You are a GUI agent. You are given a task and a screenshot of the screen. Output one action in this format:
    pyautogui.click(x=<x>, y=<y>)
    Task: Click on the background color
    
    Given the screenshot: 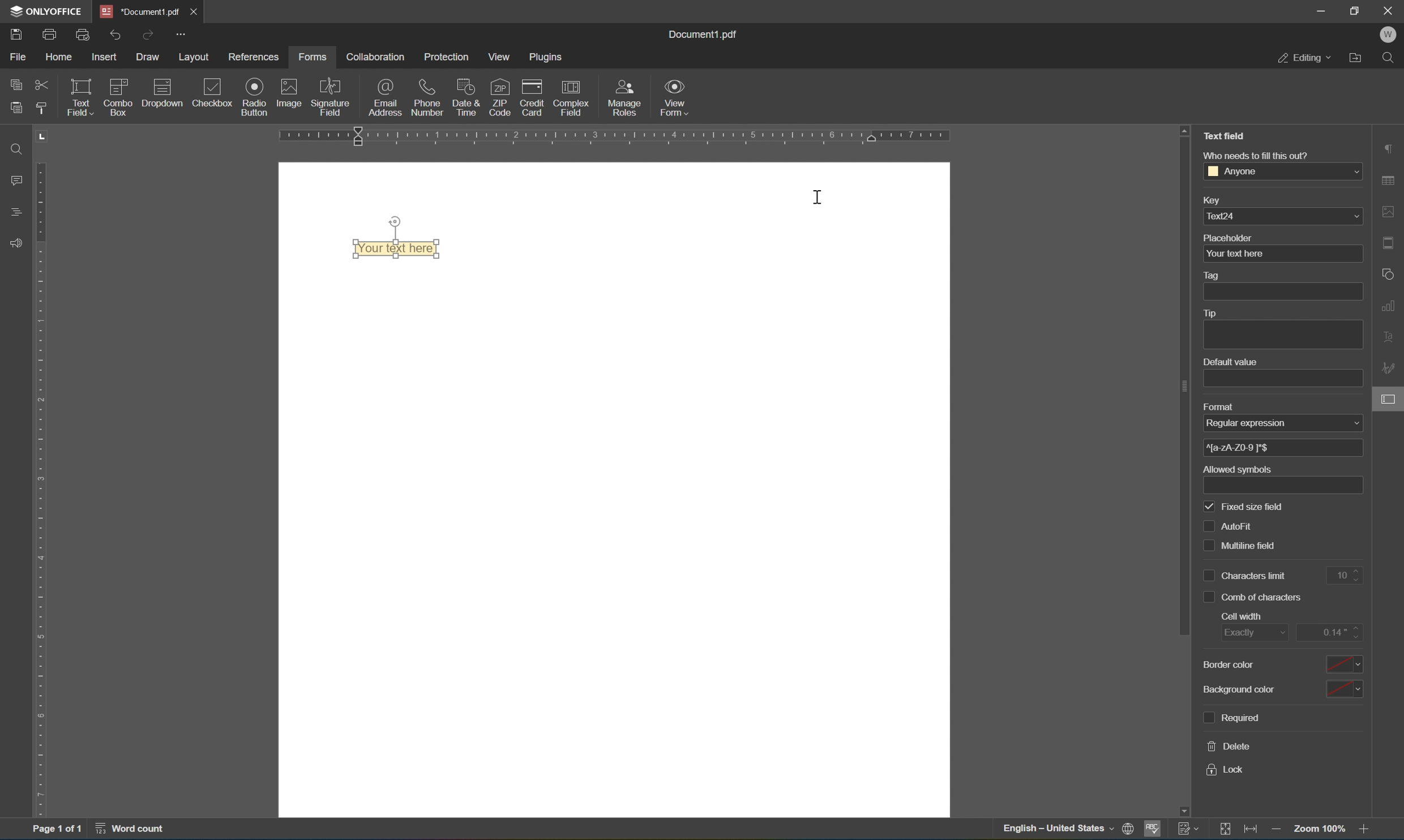 What is the action you would take?
    pyautogui.click(x=1240, y=689)
    